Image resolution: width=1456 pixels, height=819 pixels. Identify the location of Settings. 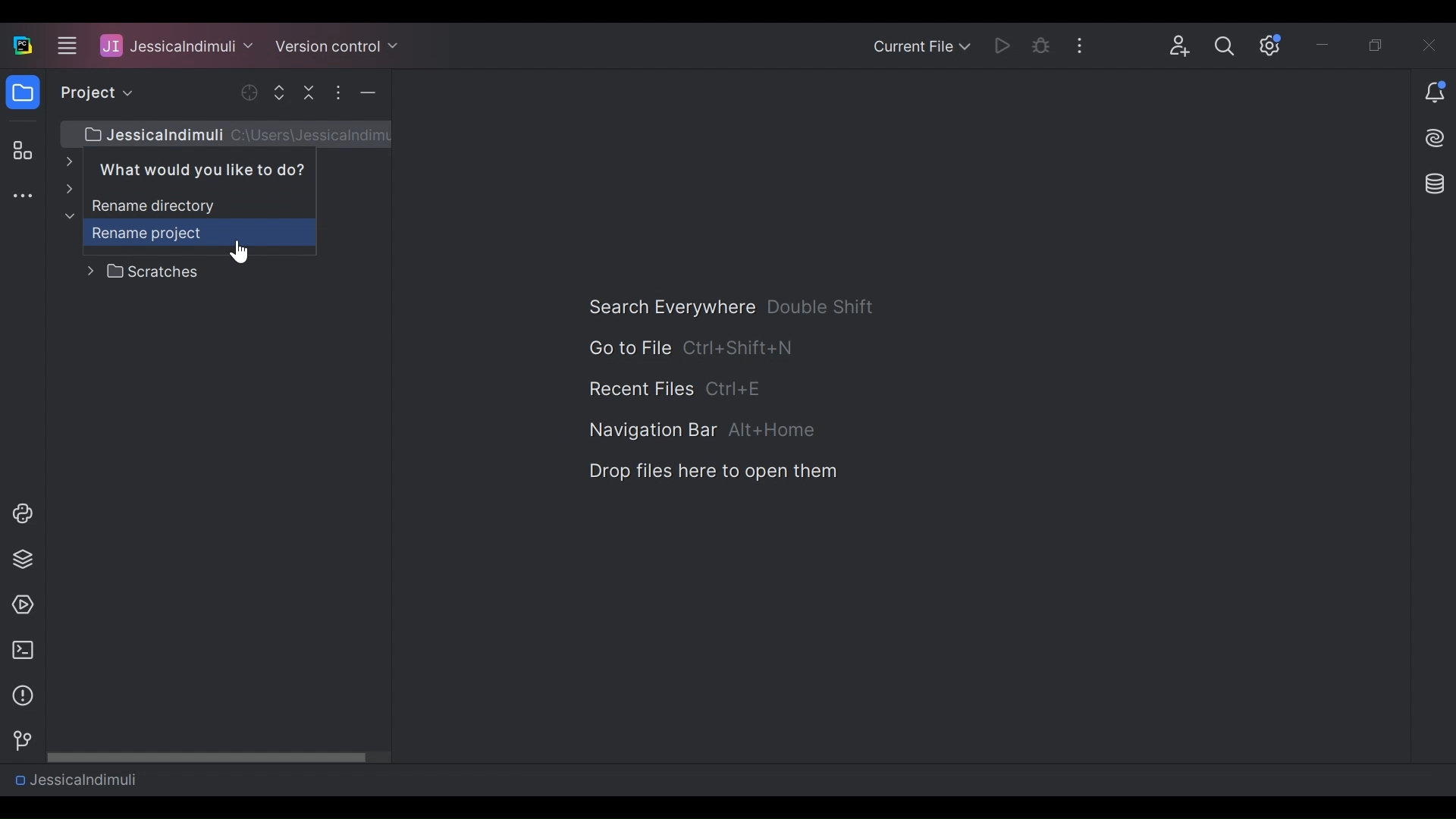
(1271, 45).